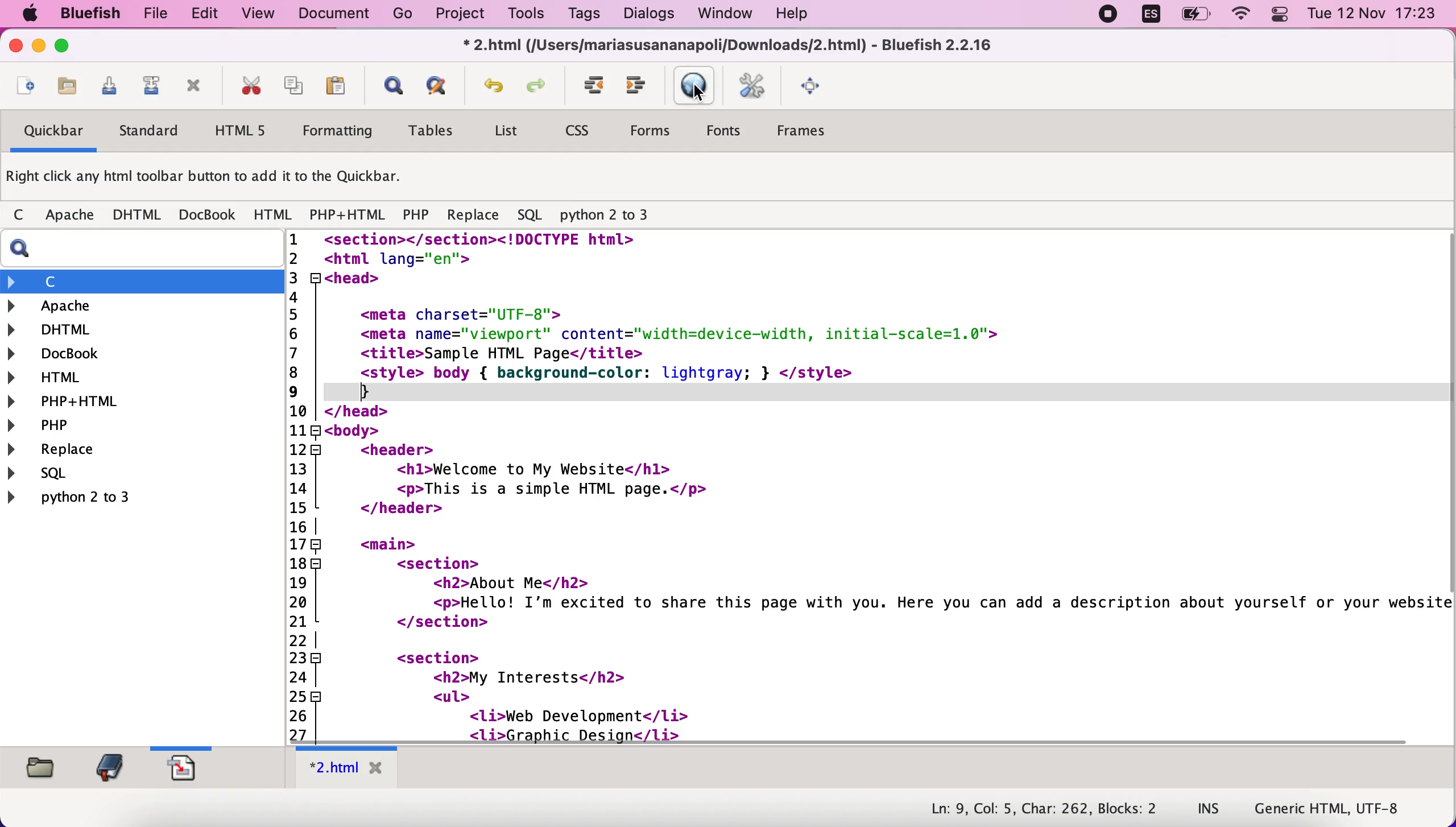 The image size is (1456, 827). I want to click on tags, so click(584, 15).